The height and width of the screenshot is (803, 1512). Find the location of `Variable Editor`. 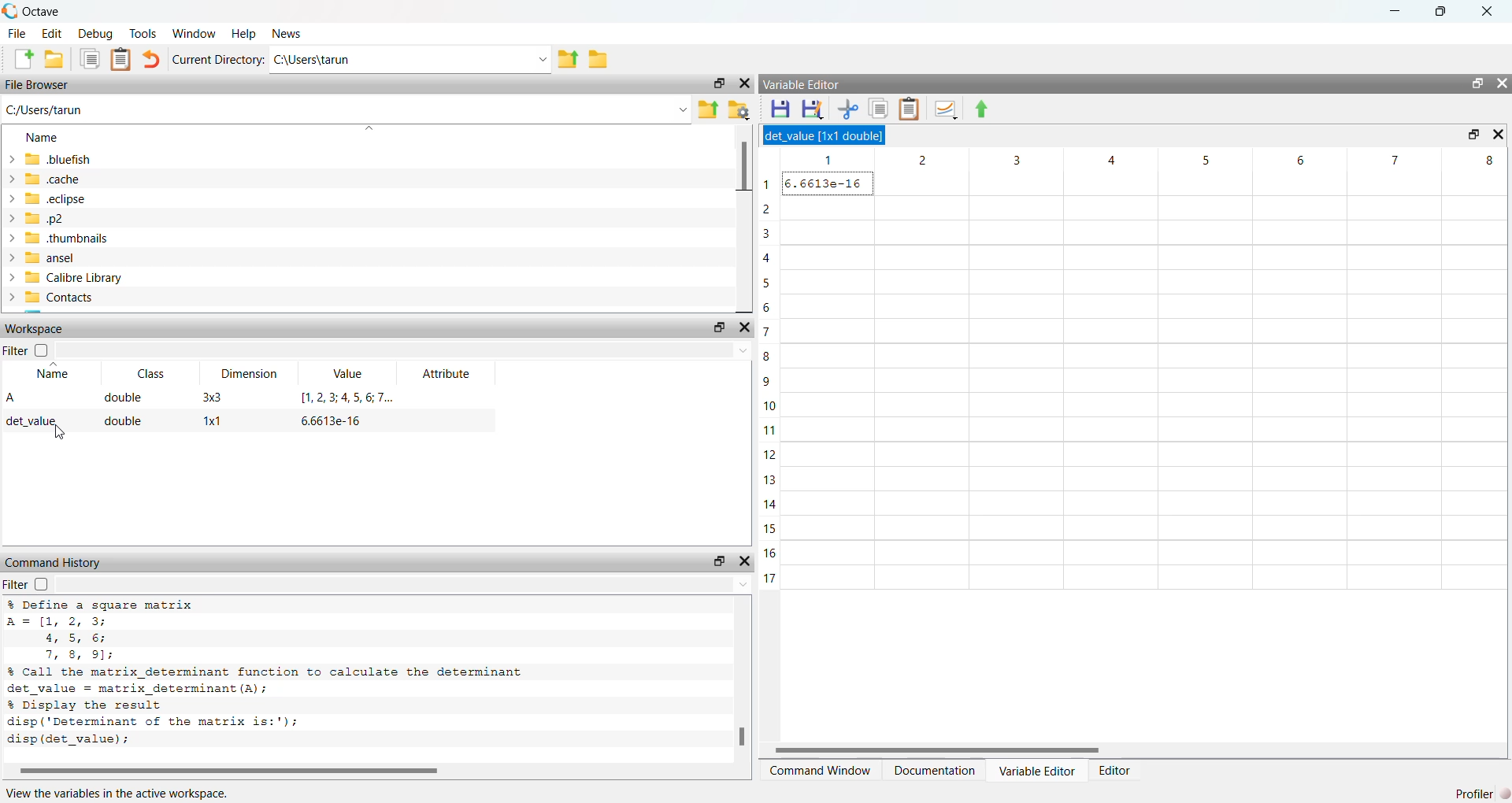

Variable Editor is located at coordinates (1036, 768).